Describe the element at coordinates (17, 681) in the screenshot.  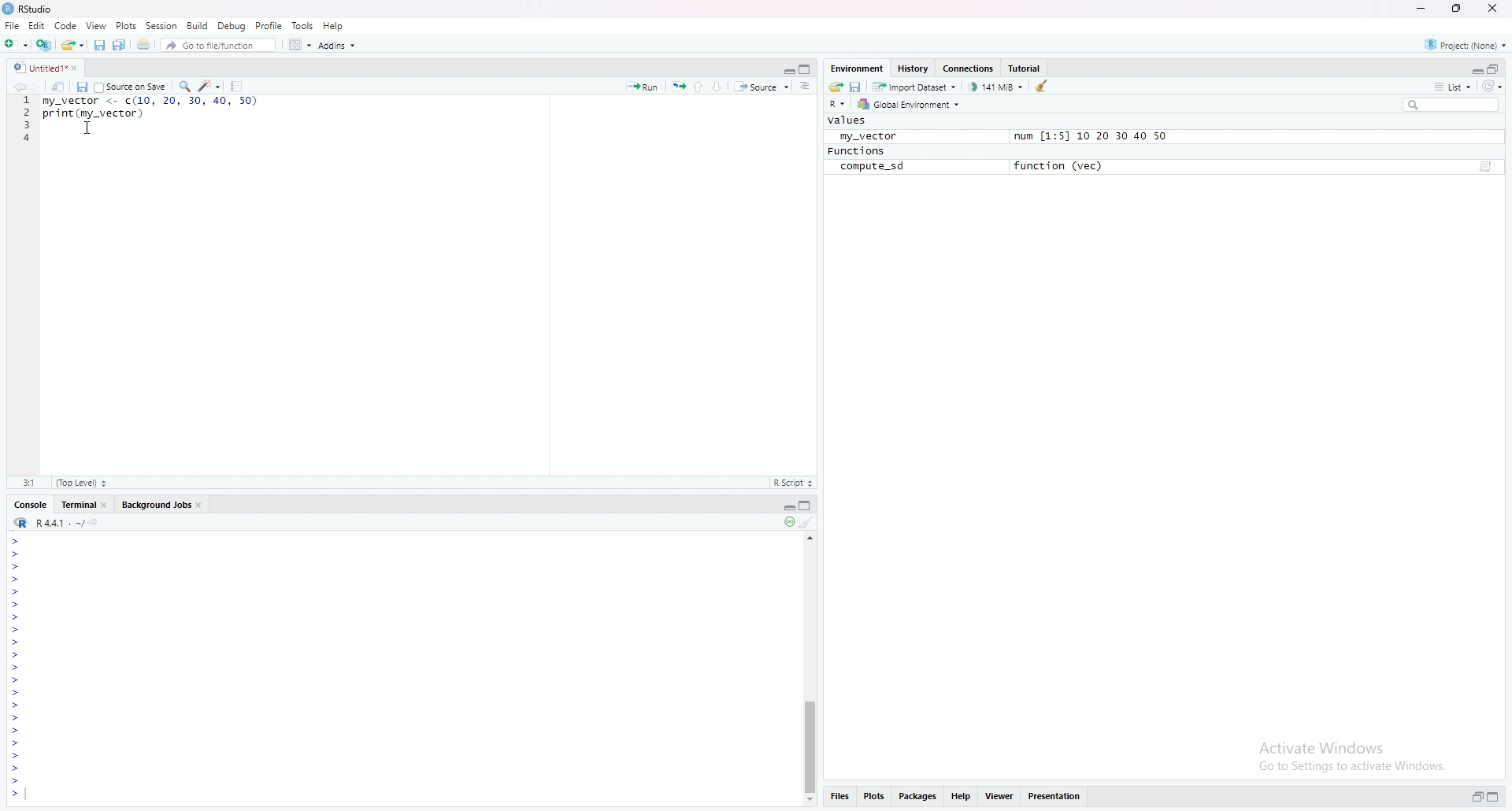
I see `Prompt cursor` at that location.